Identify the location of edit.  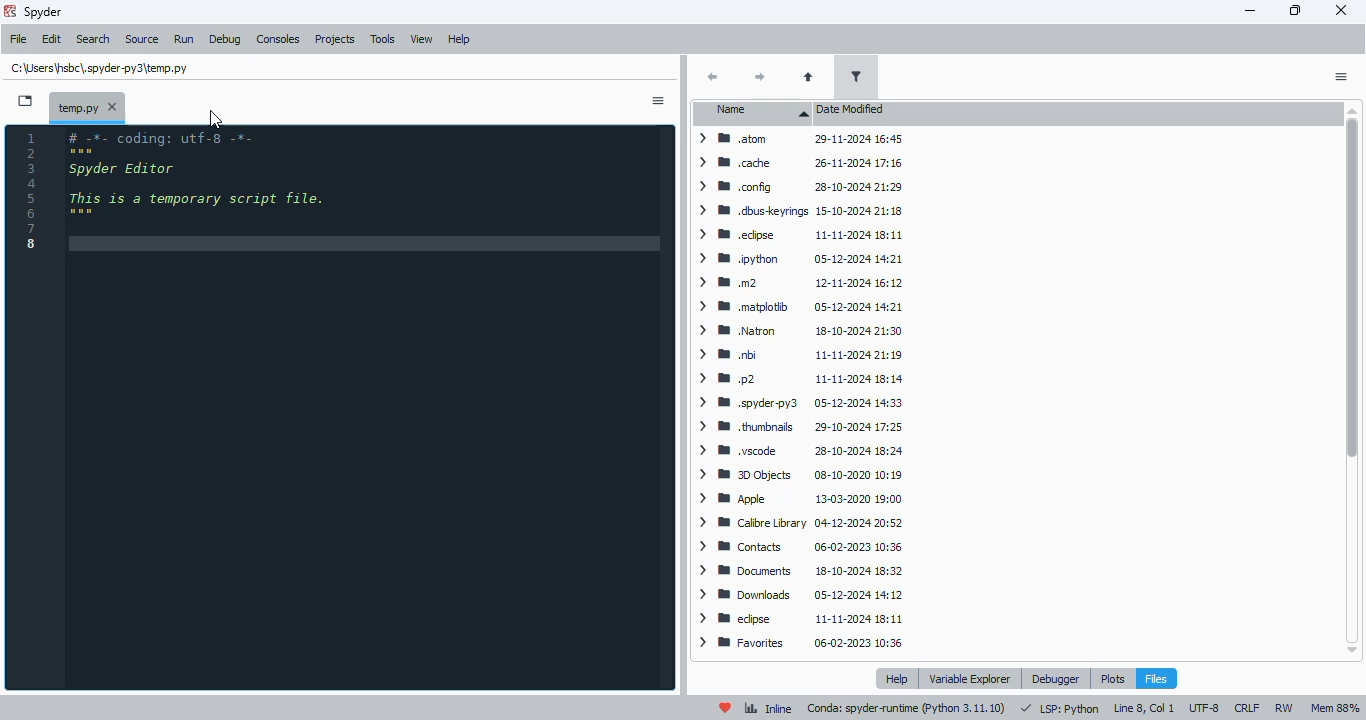
(52, 38).